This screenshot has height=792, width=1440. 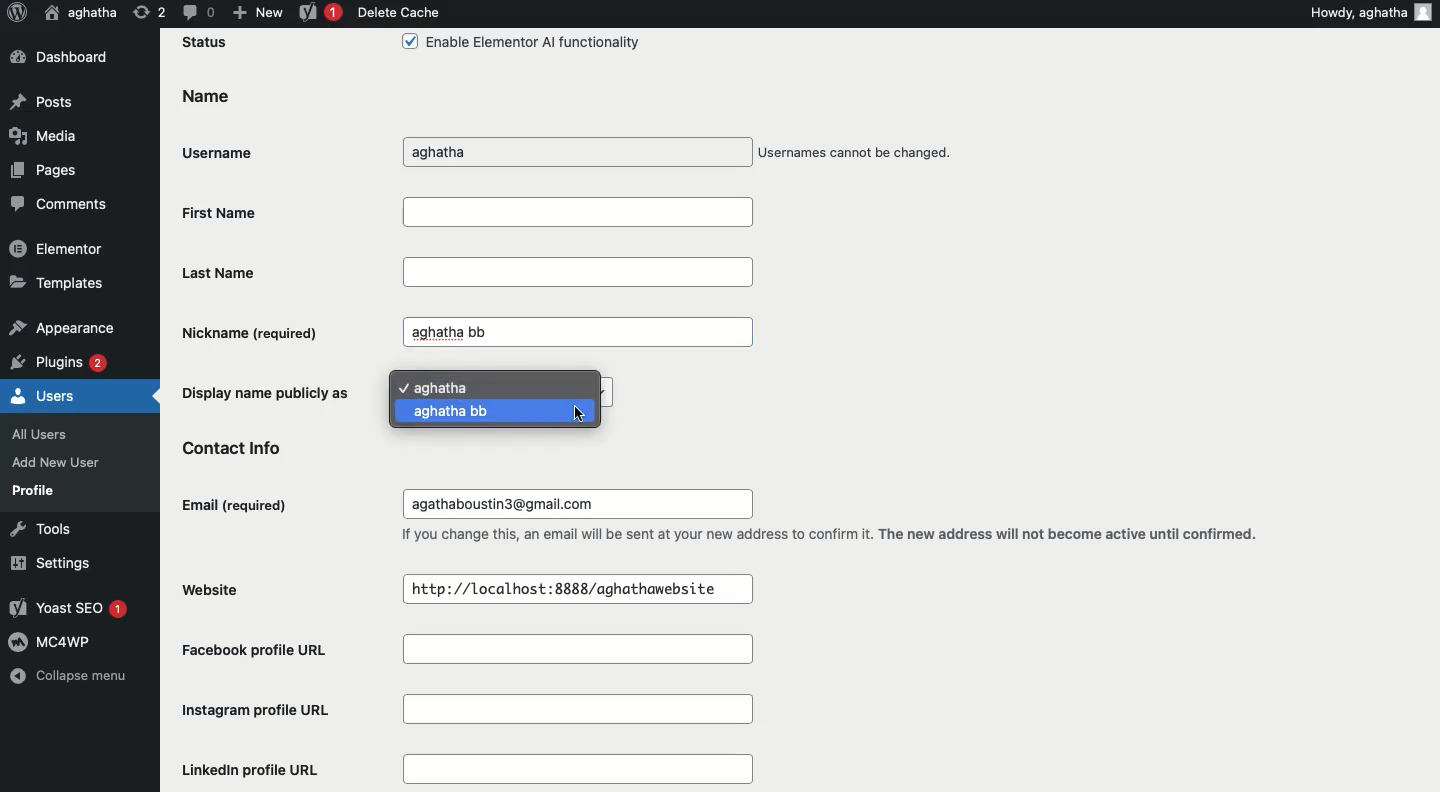 I want to click on Plugins, so click(x=61, y=360).